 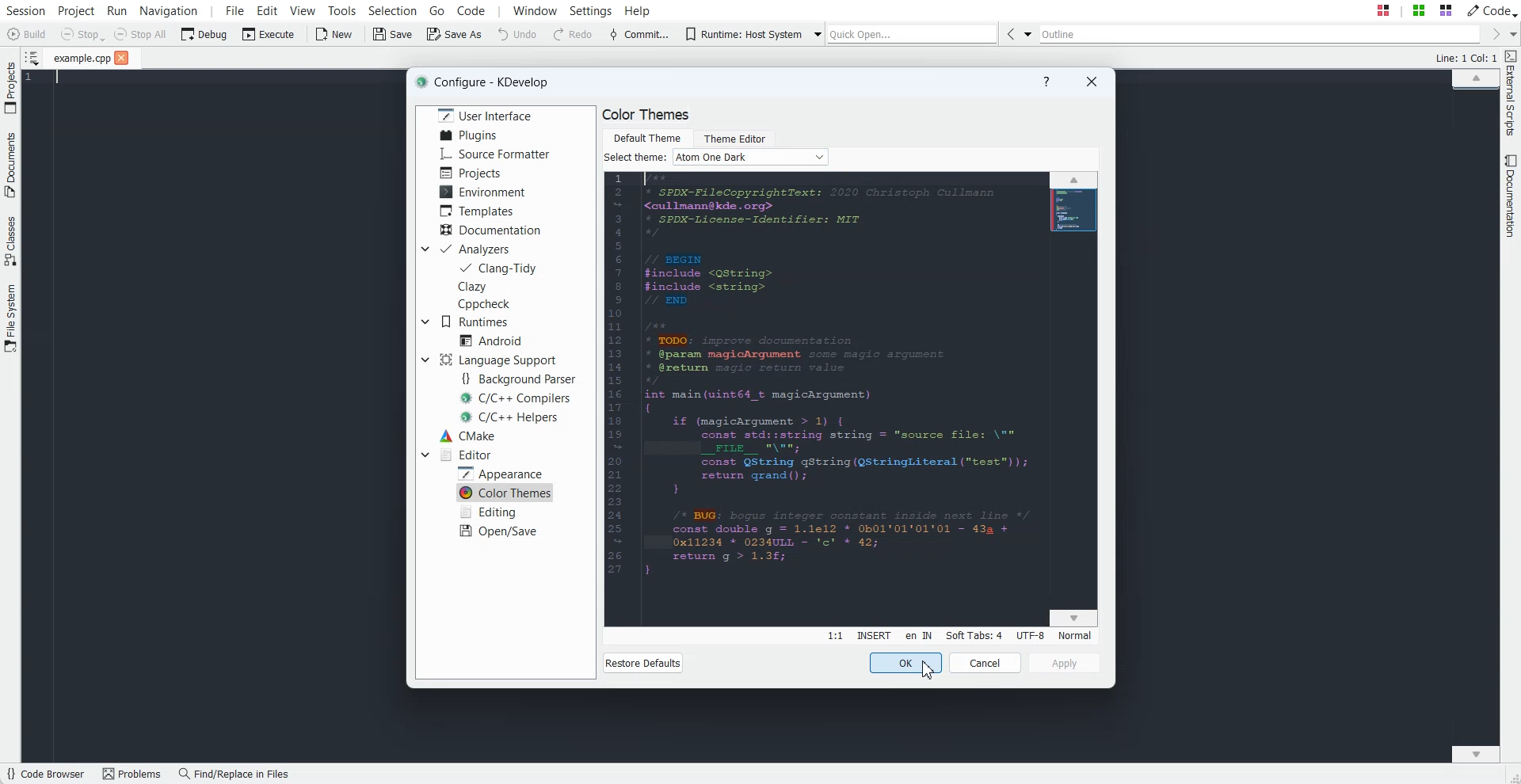 I want to click on Drop down box, so click(x=425, y=360).